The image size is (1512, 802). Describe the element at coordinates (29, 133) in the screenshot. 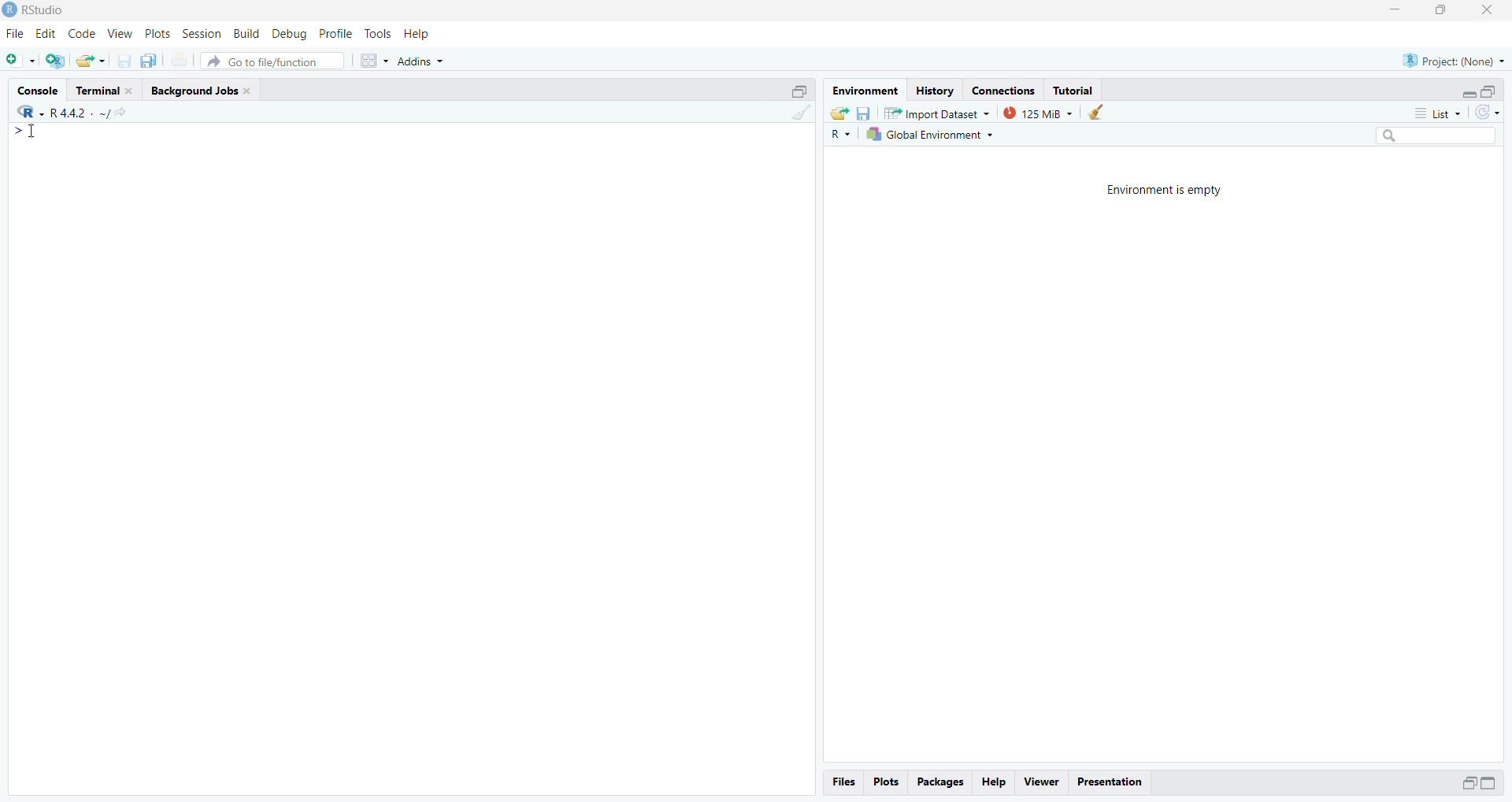

I see `cursor` at that location.